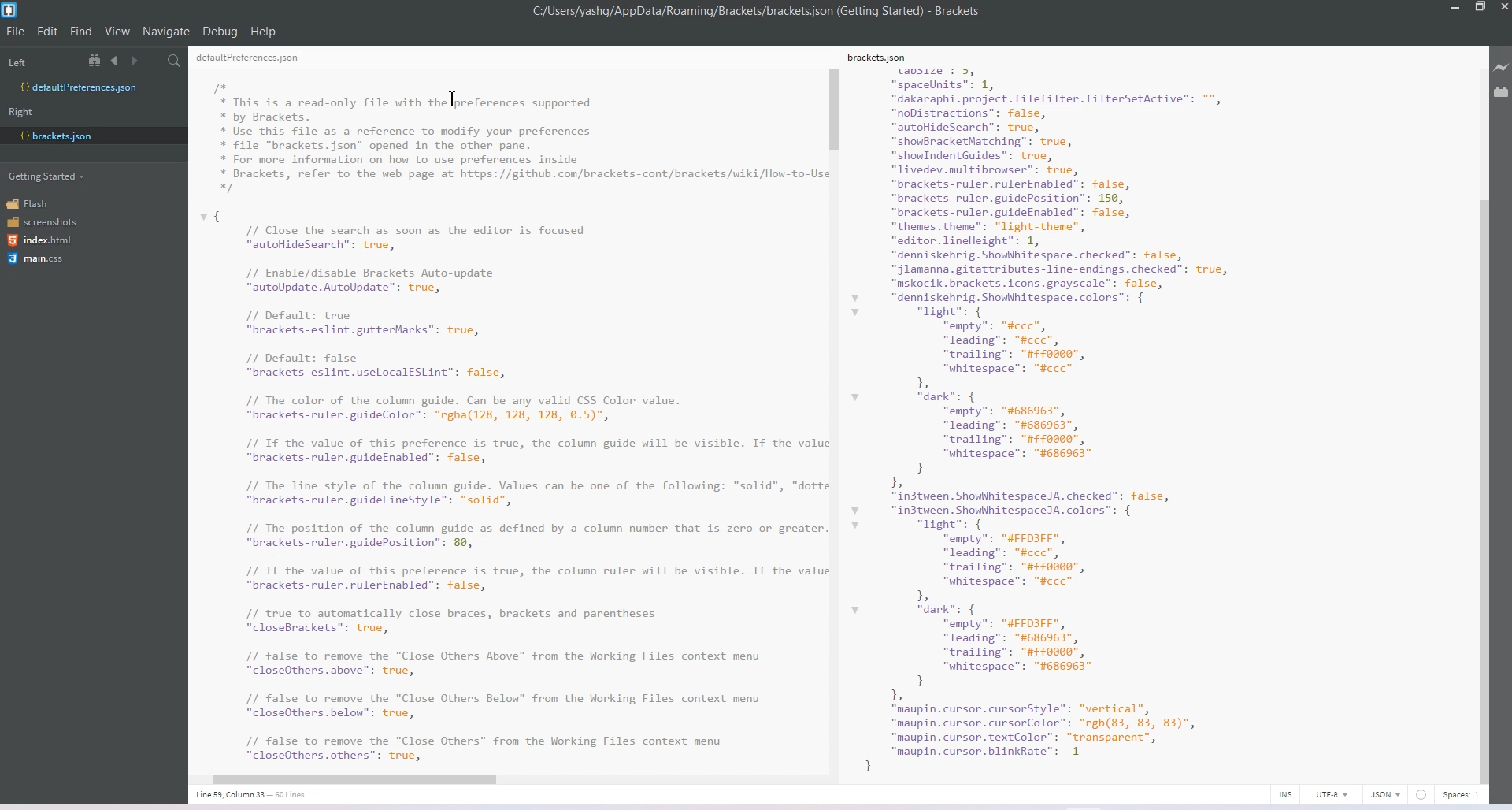 The image size is (1512, 810). Describe the element at coordinates (136, 61) in the screenshot. I see `Navigate Forward` at that location.